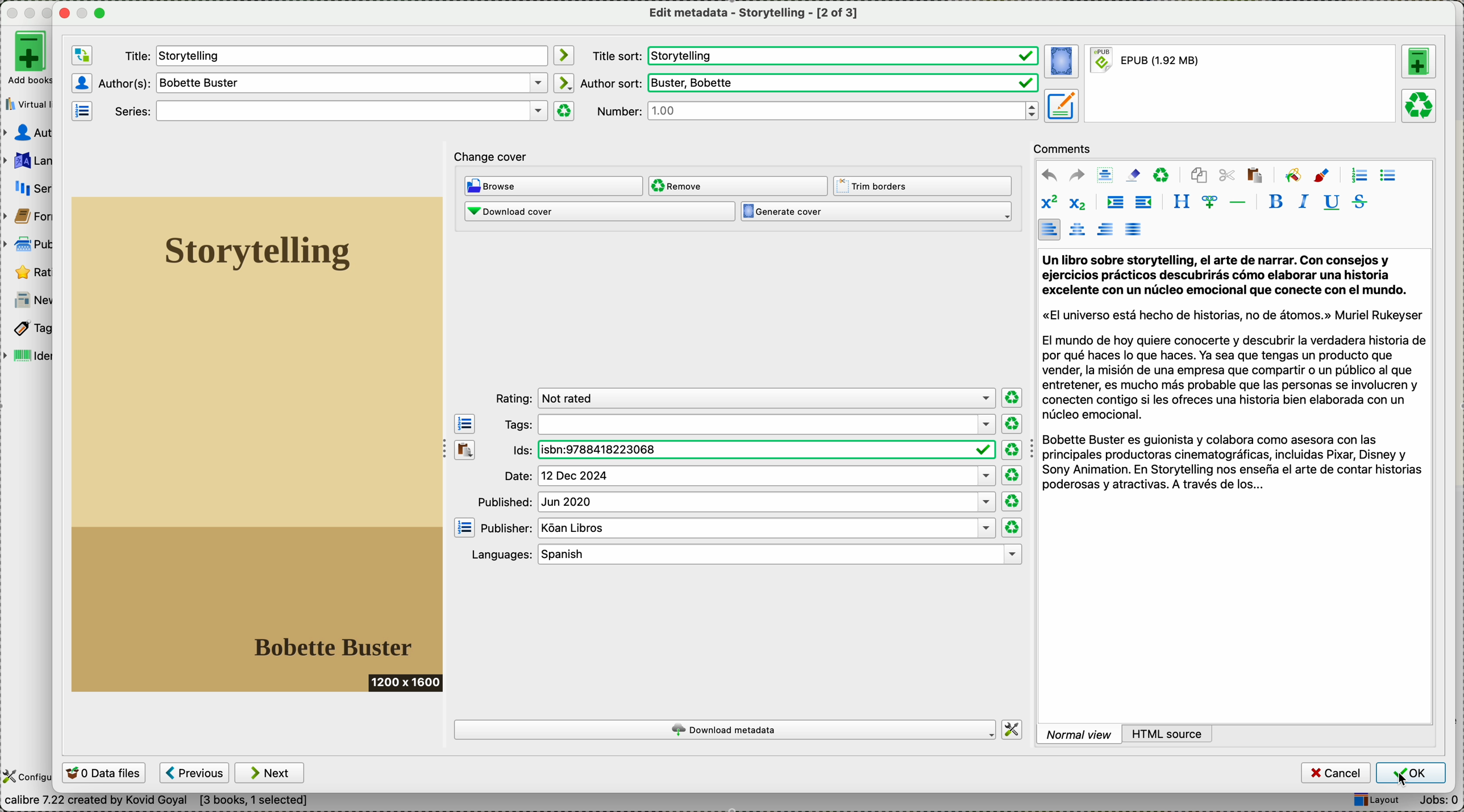 The image size is (1464, 812). I want to click on icon, so click(564, 55).